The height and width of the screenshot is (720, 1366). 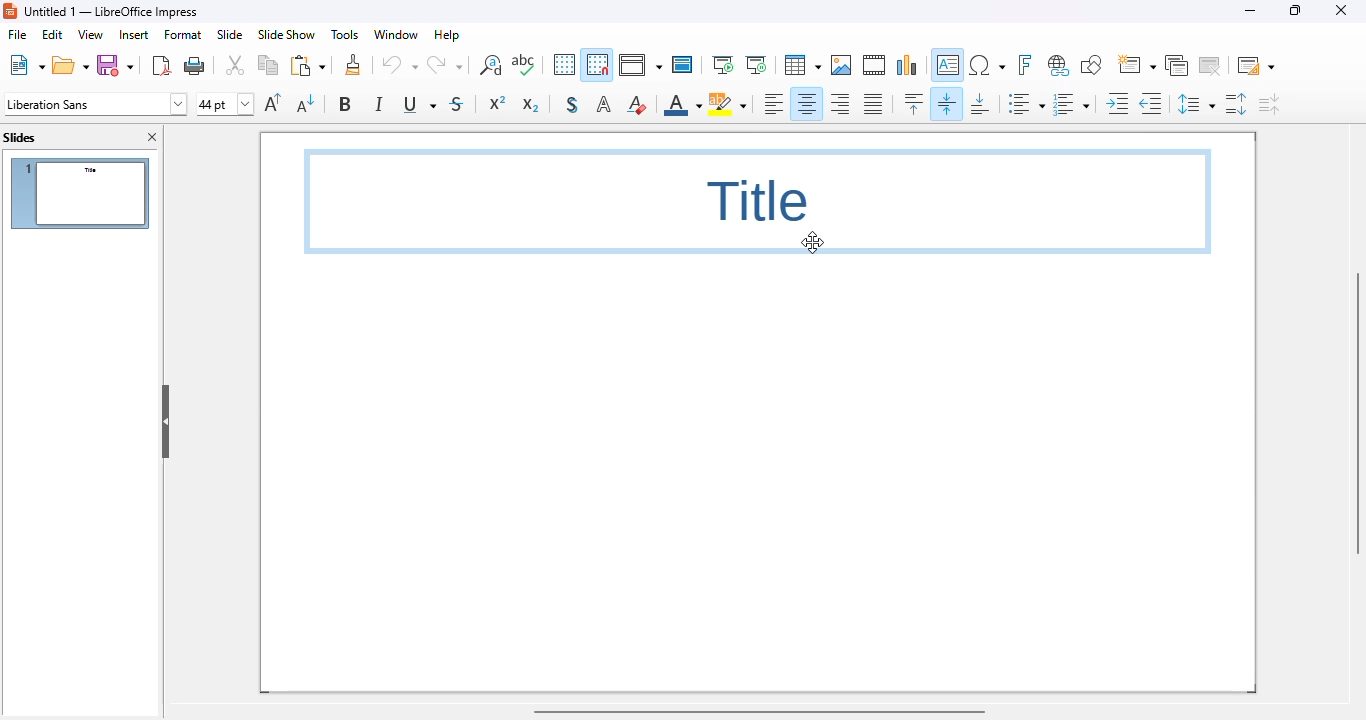 What do you see at coordinates (841, 65) in the screenshot?
I see `insert image` at bounding box center [841, 65].